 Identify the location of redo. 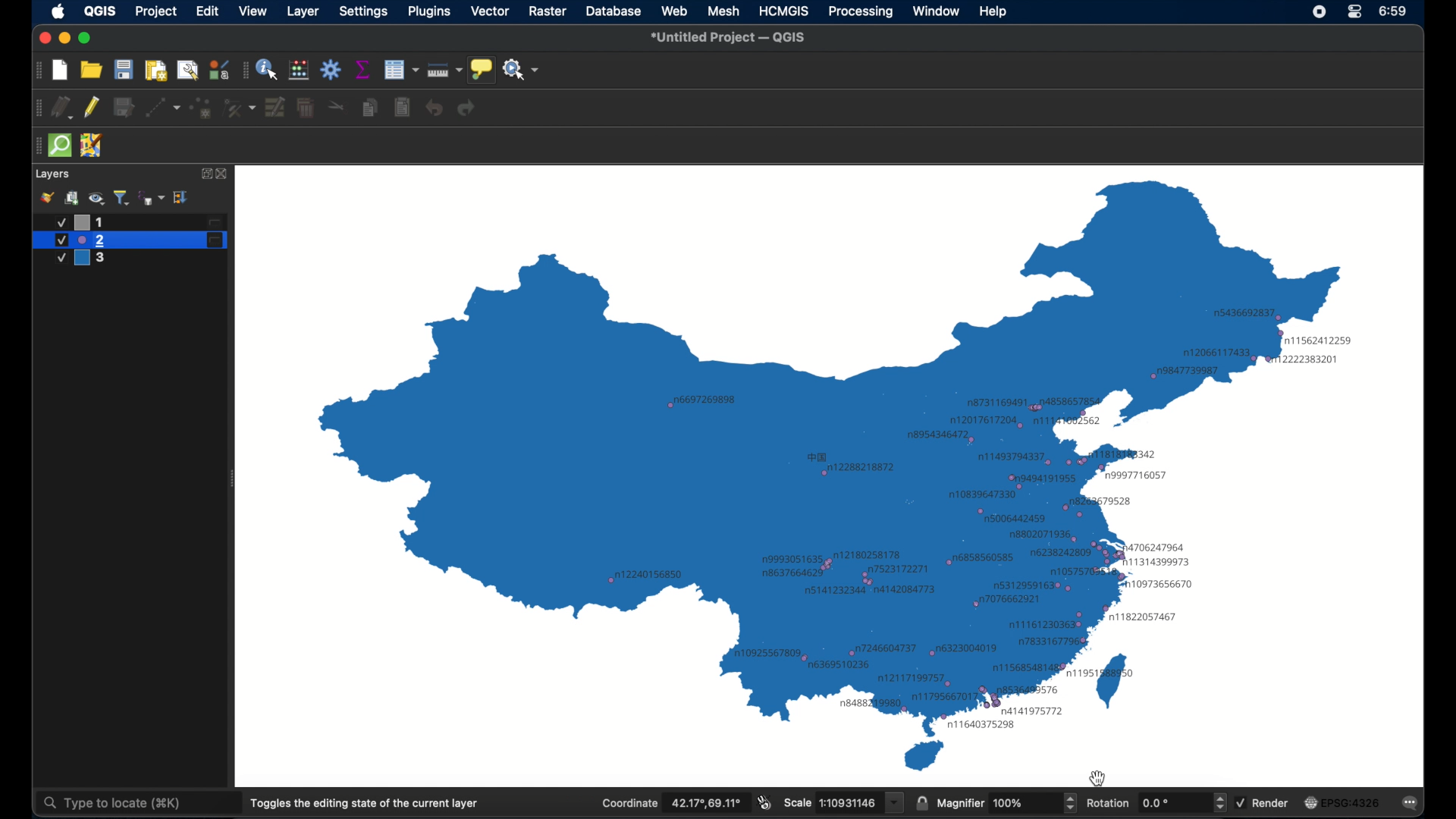
(469, 108).